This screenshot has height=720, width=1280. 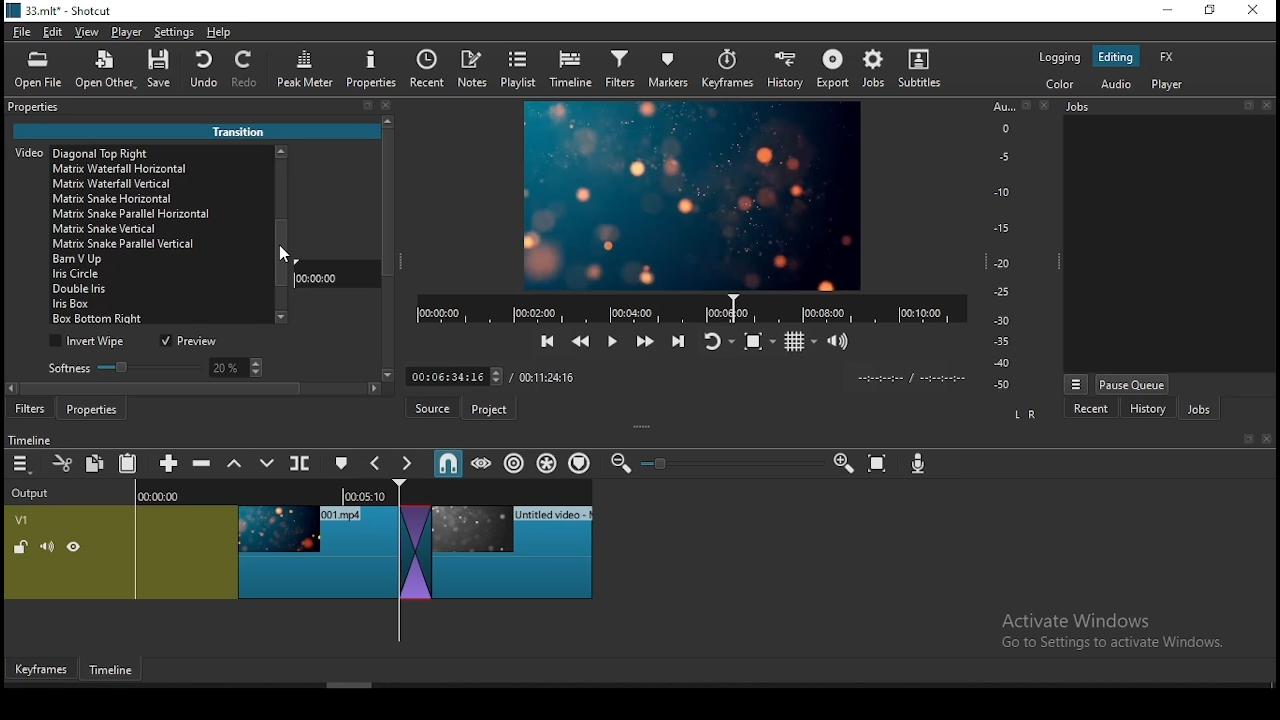 I want to click on open file, so click(x=43, y=72).